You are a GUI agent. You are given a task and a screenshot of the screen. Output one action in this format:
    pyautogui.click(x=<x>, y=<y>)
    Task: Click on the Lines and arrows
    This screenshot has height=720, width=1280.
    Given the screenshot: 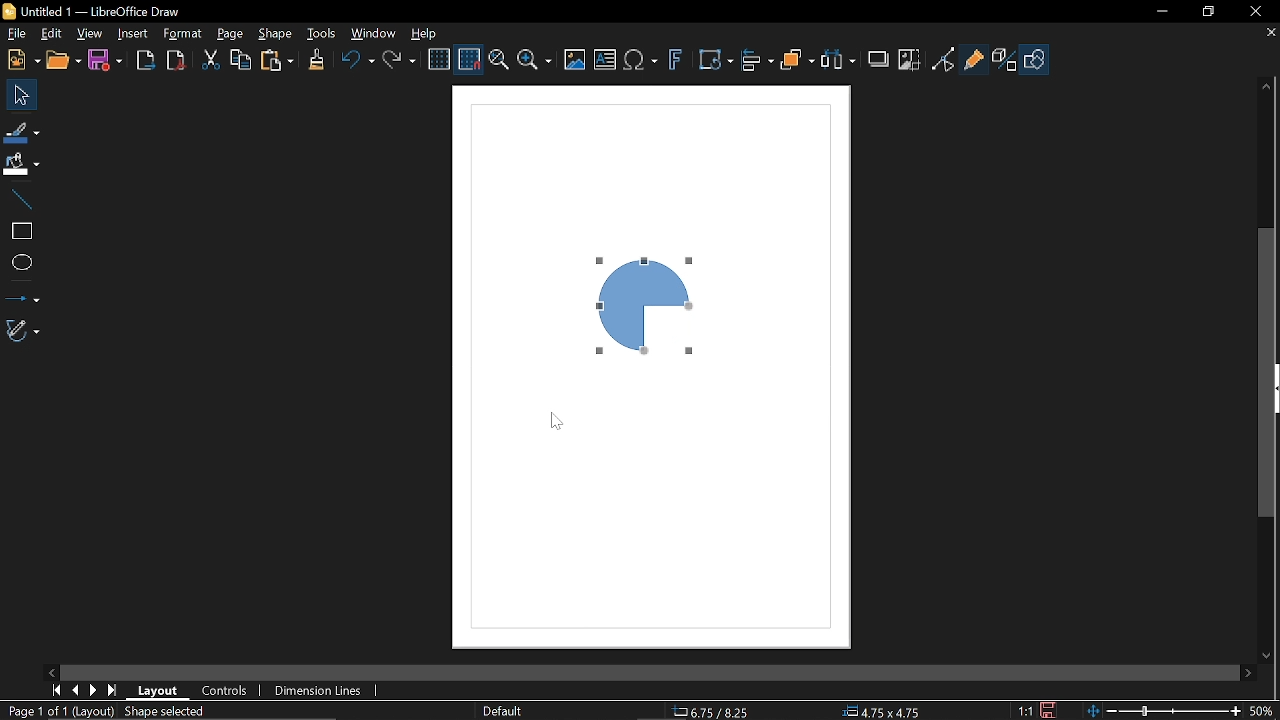 What is the action you would take?
    pyautogui.click(x=22, y=295)
    